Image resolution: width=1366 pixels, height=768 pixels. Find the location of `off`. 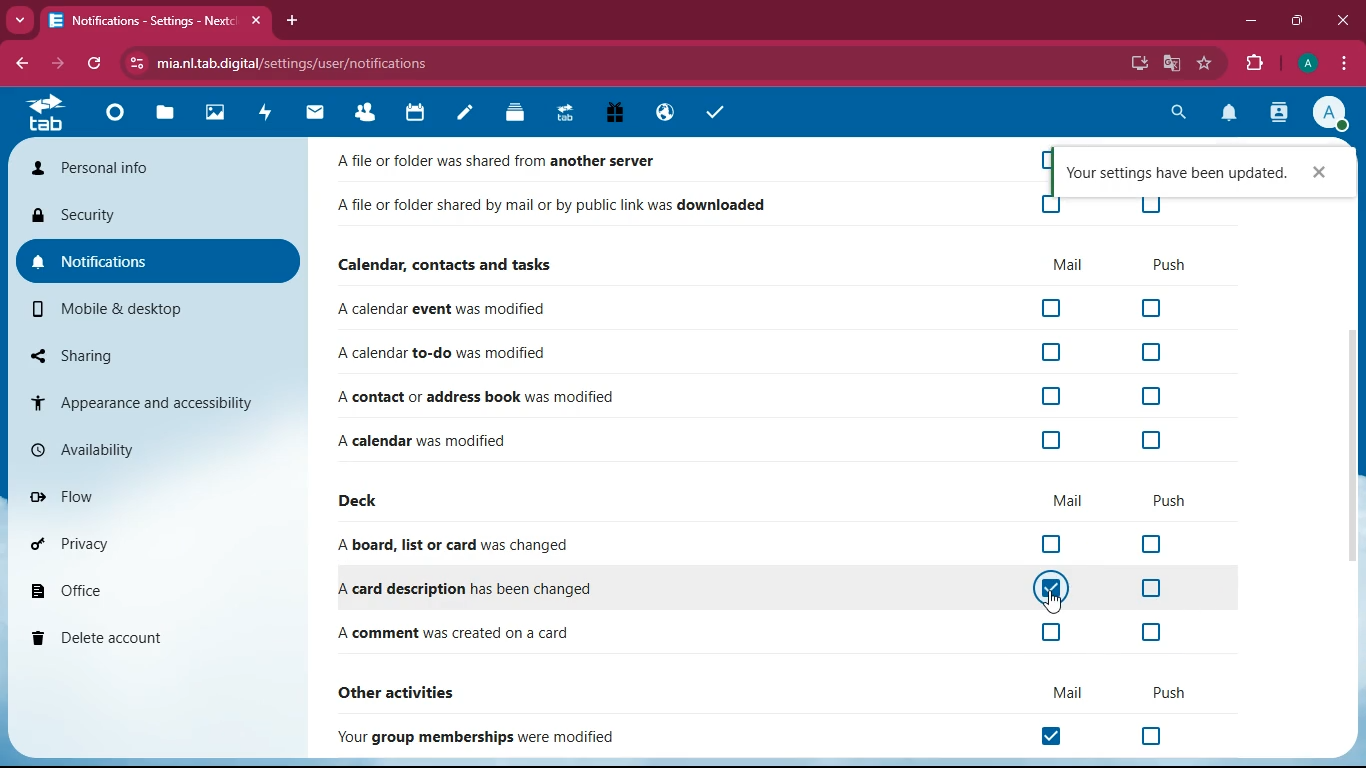

off is located at coordinates (1149, 442).